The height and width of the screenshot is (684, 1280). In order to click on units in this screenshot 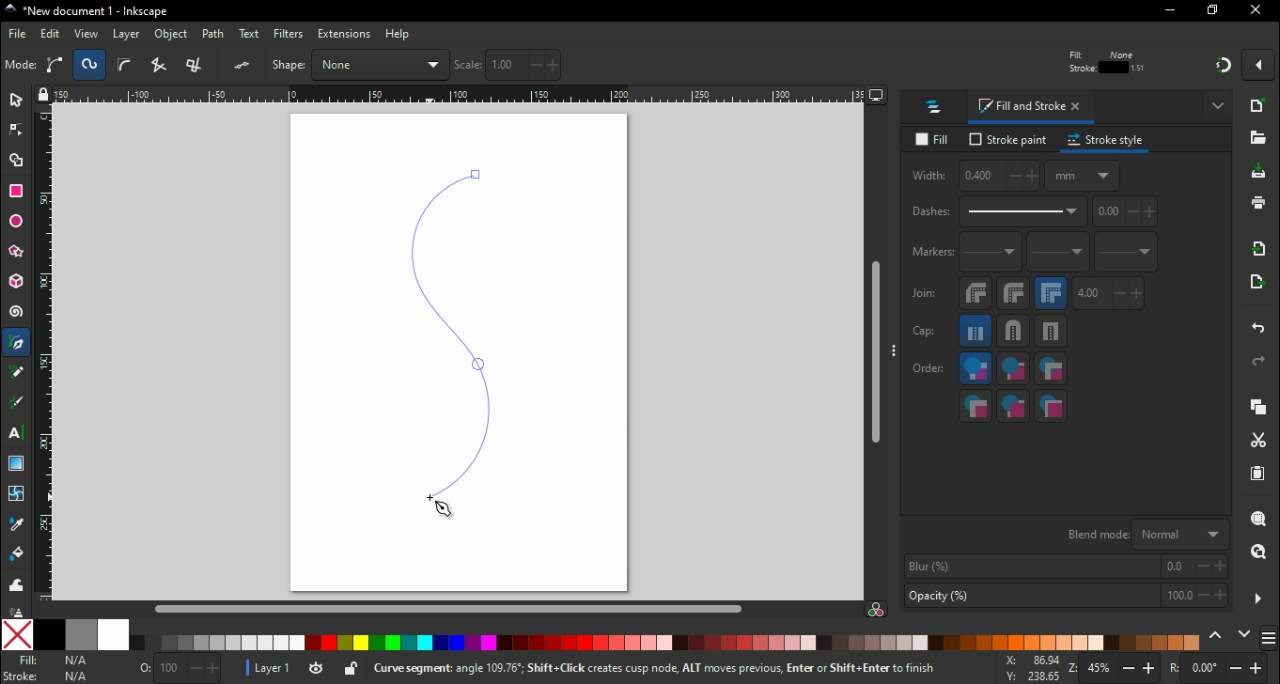, I will do `click(1084, 180)`.